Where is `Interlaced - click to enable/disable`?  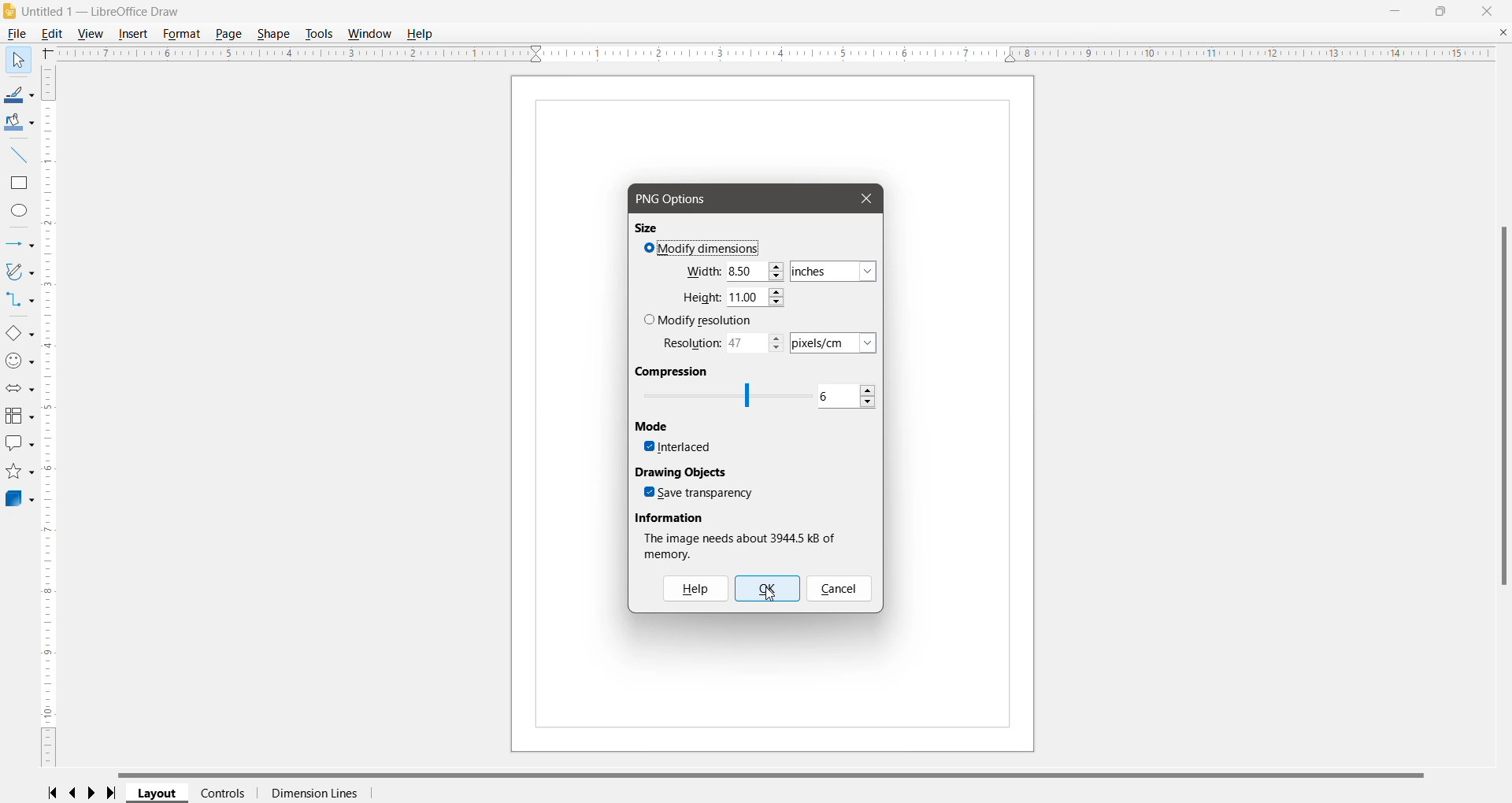 Interlaced - click to enable/disable is located at coordinates (679, 448).